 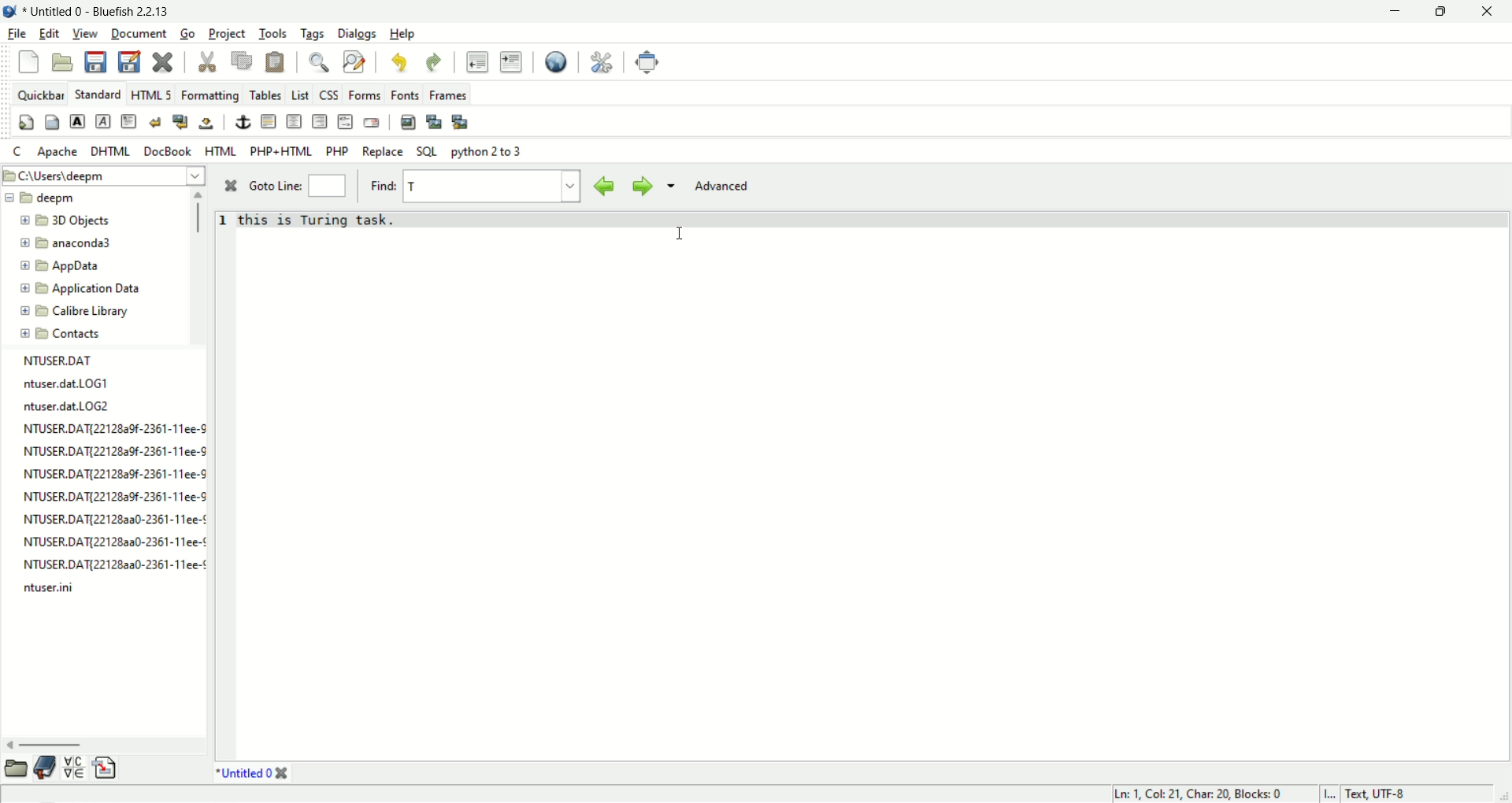 I want to click on folder name, so click(x=72, y=222).